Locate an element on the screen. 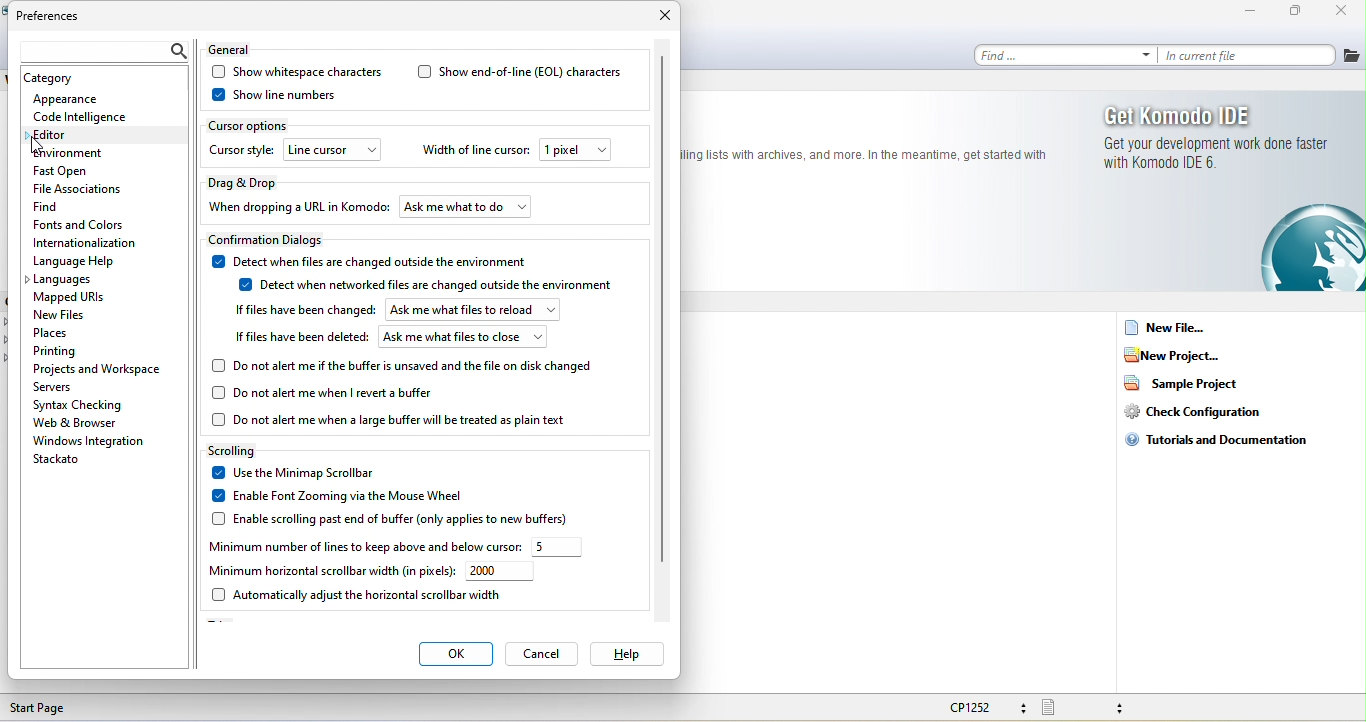 Image resolution: width=1366 pixels, height=722 pixels. search is located at coordinates (100, 52).